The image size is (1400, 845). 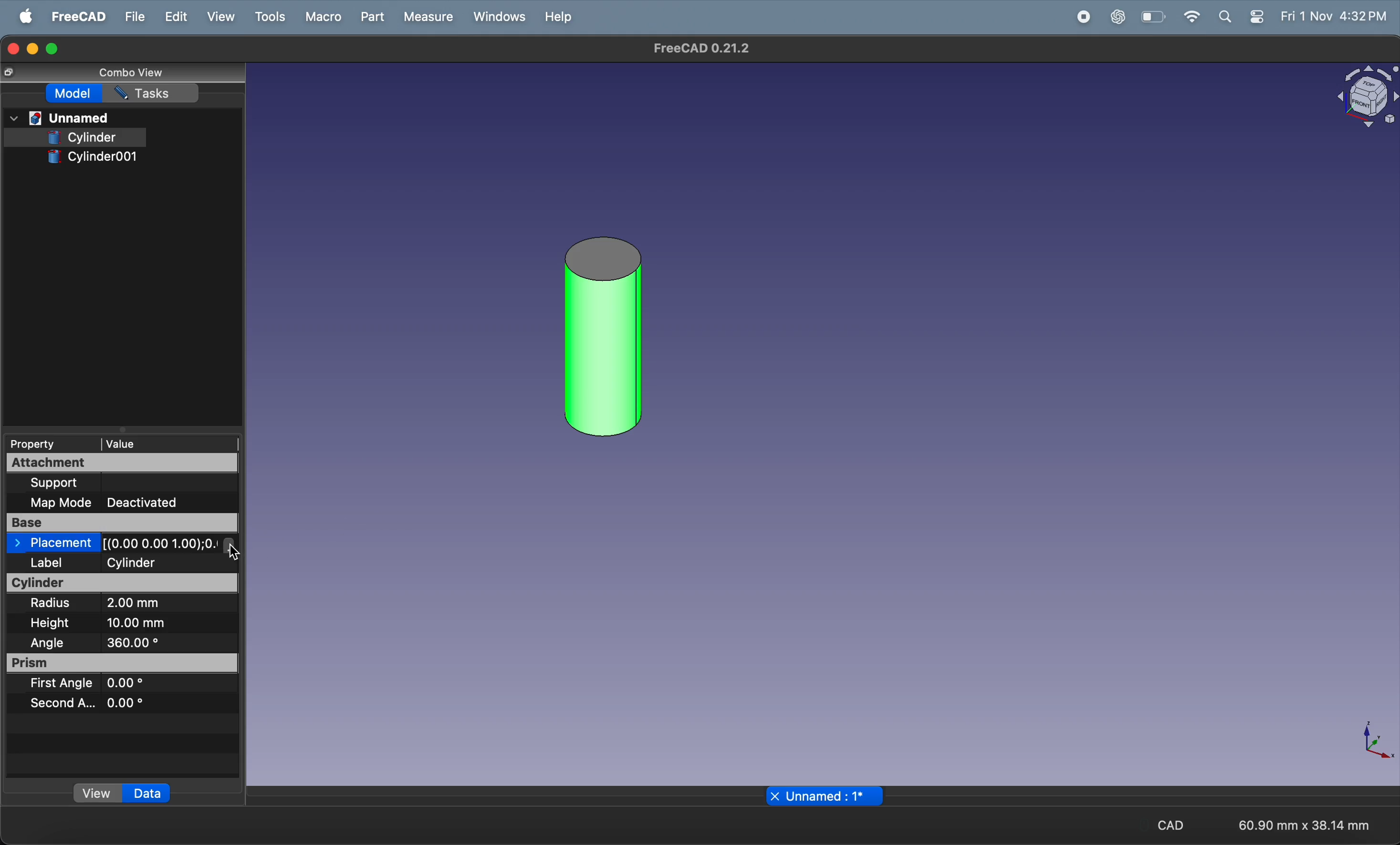 I want to click on record, so click(x=1080, y=17).